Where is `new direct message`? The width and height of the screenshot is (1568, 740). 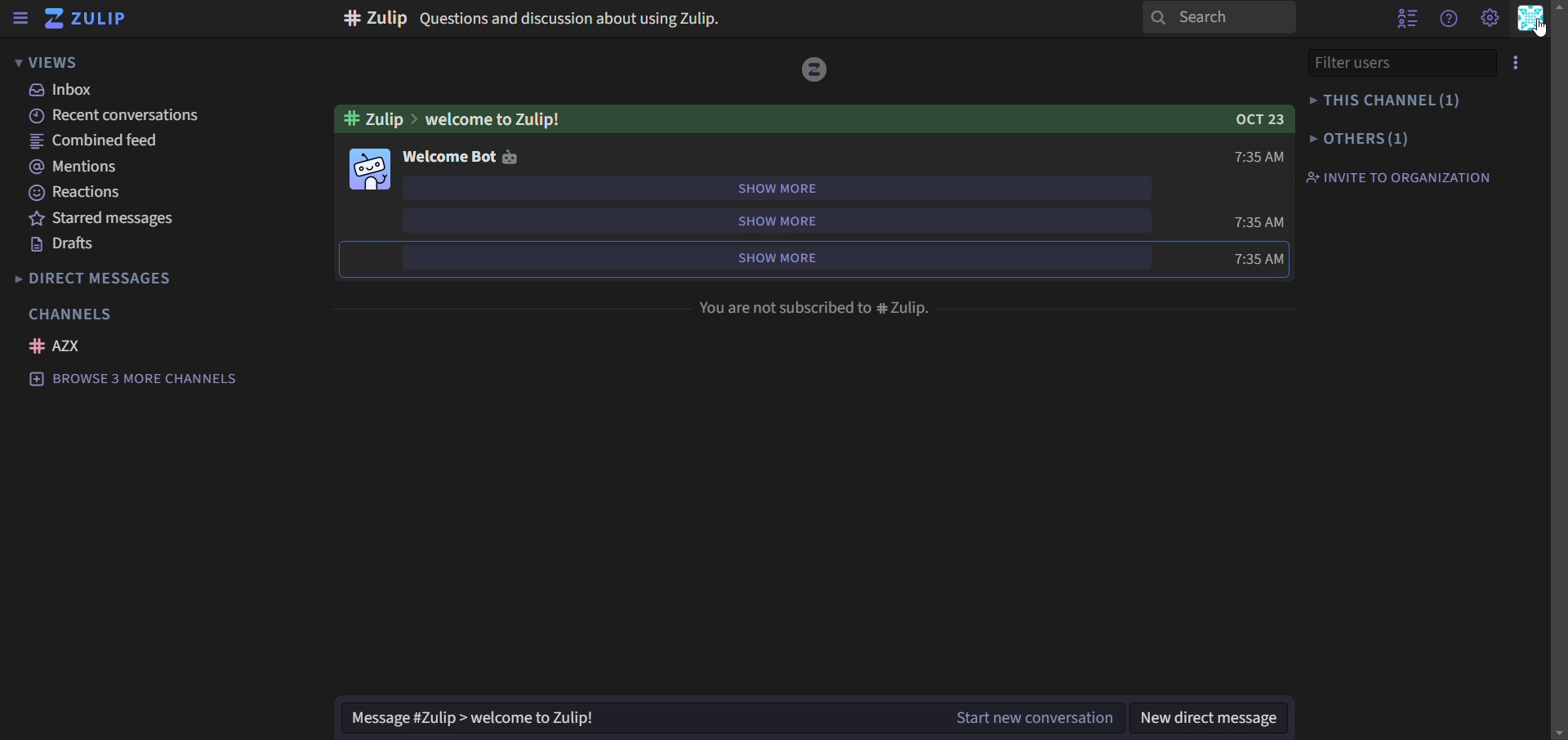
new direct message is located at coordinates (1212, 718).